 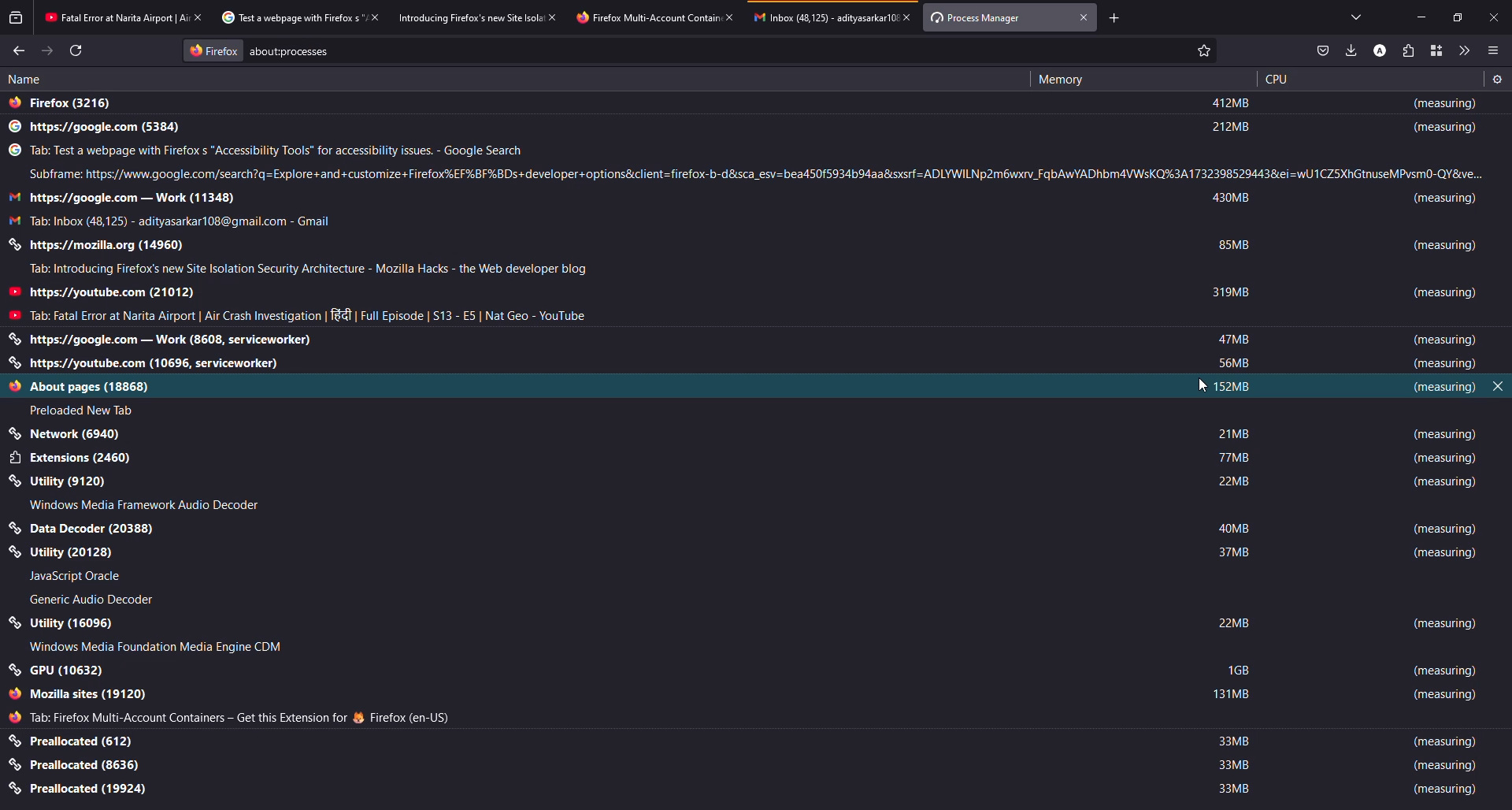 What do you see at coordinates (123, 198) in the screenshot?
I see `https://google.com - work (11348)` at bounding box center [123, 198].